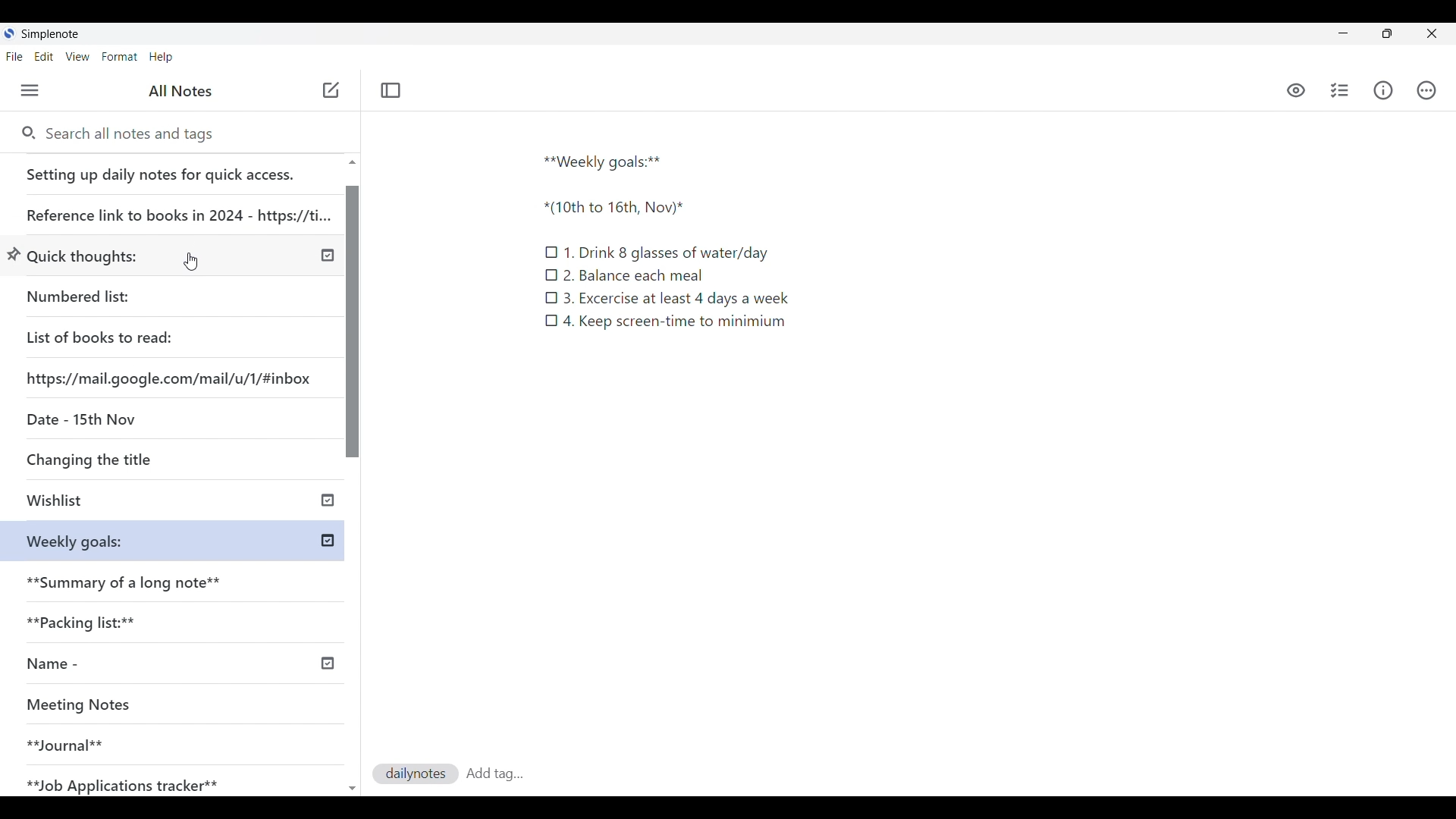 The width and height of the screenshot is (1456, 819). Describe the element at coordinates (120, 57) in the screenshot. I see `Format menu` at that location.